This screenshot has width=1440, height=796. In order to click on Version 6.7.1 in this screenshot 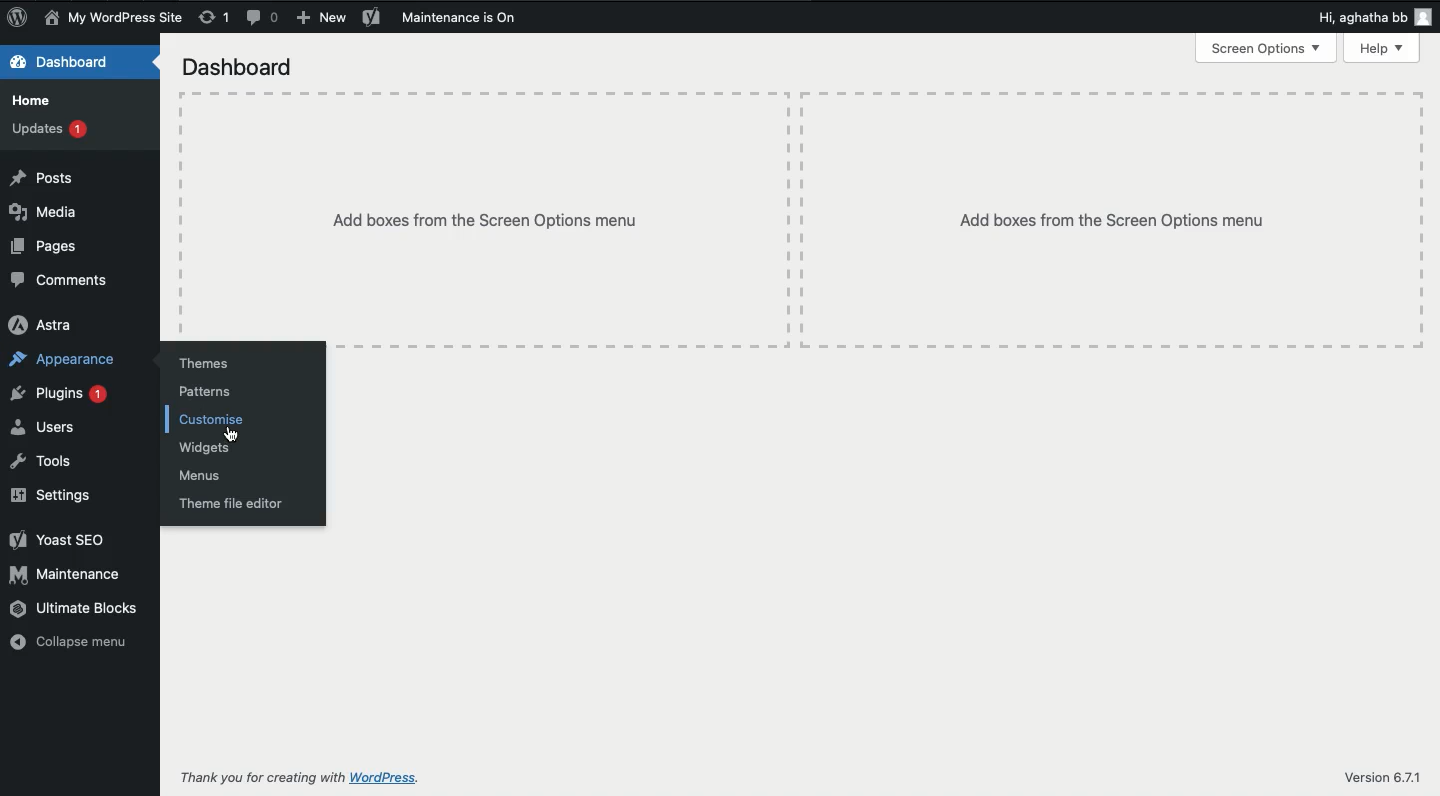, I will do `click(1386, 779)`.